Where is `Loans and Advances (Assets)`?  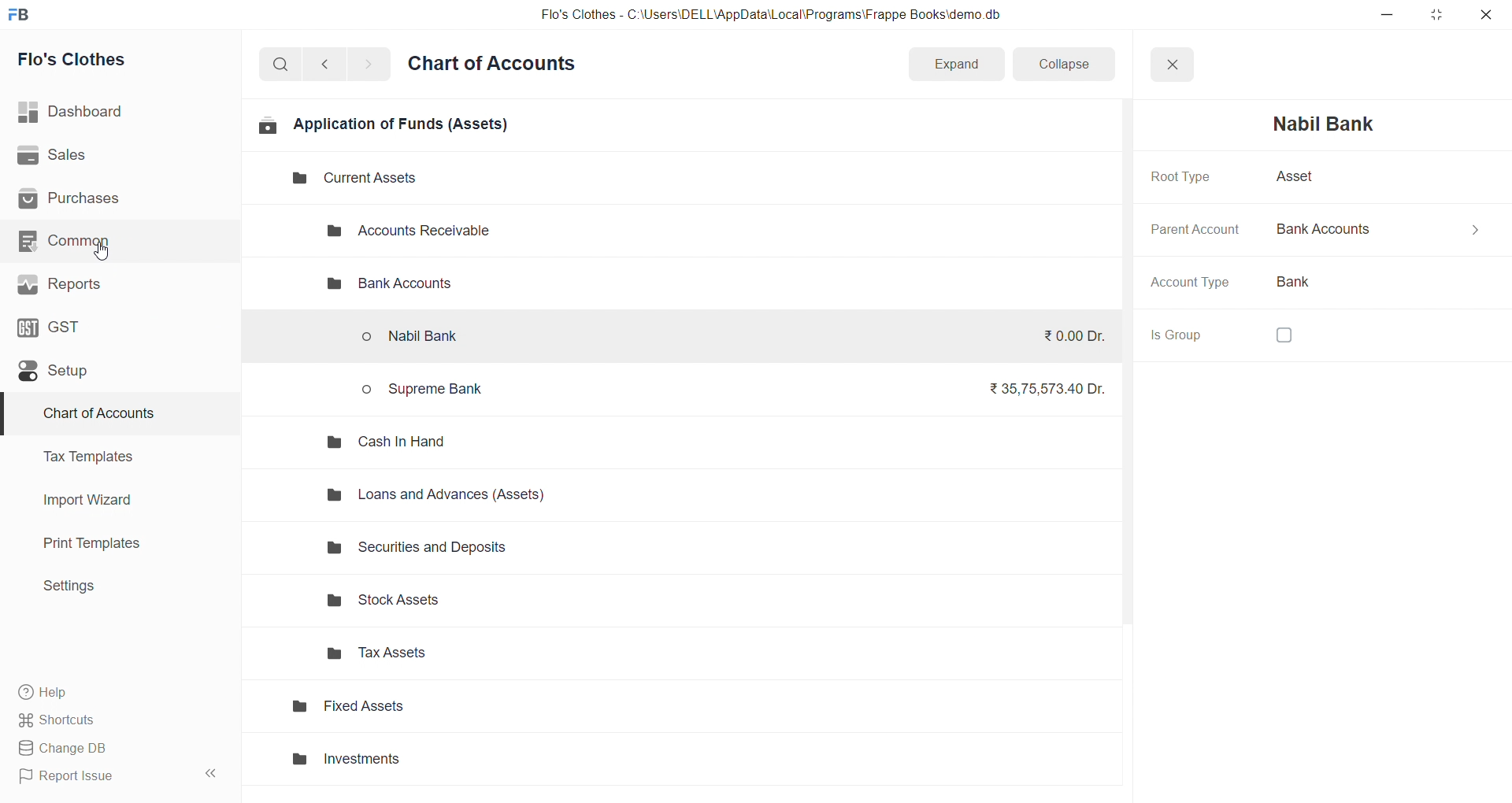 Loans and Advances (Assets) is located at coordinates (446, 494).